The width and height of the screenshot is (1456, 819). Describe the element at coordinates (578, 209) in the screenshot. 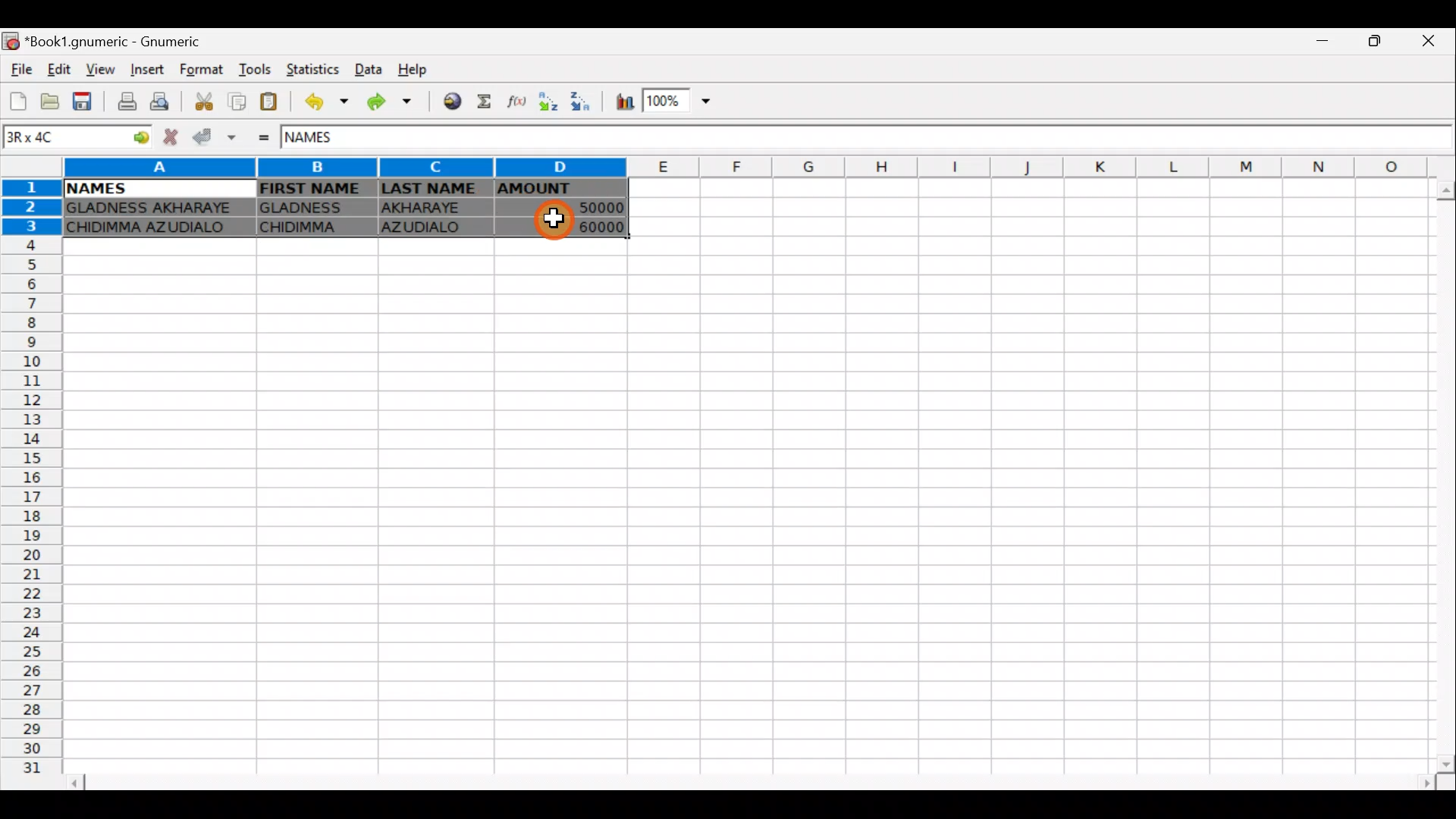

I see `50000` at that location.